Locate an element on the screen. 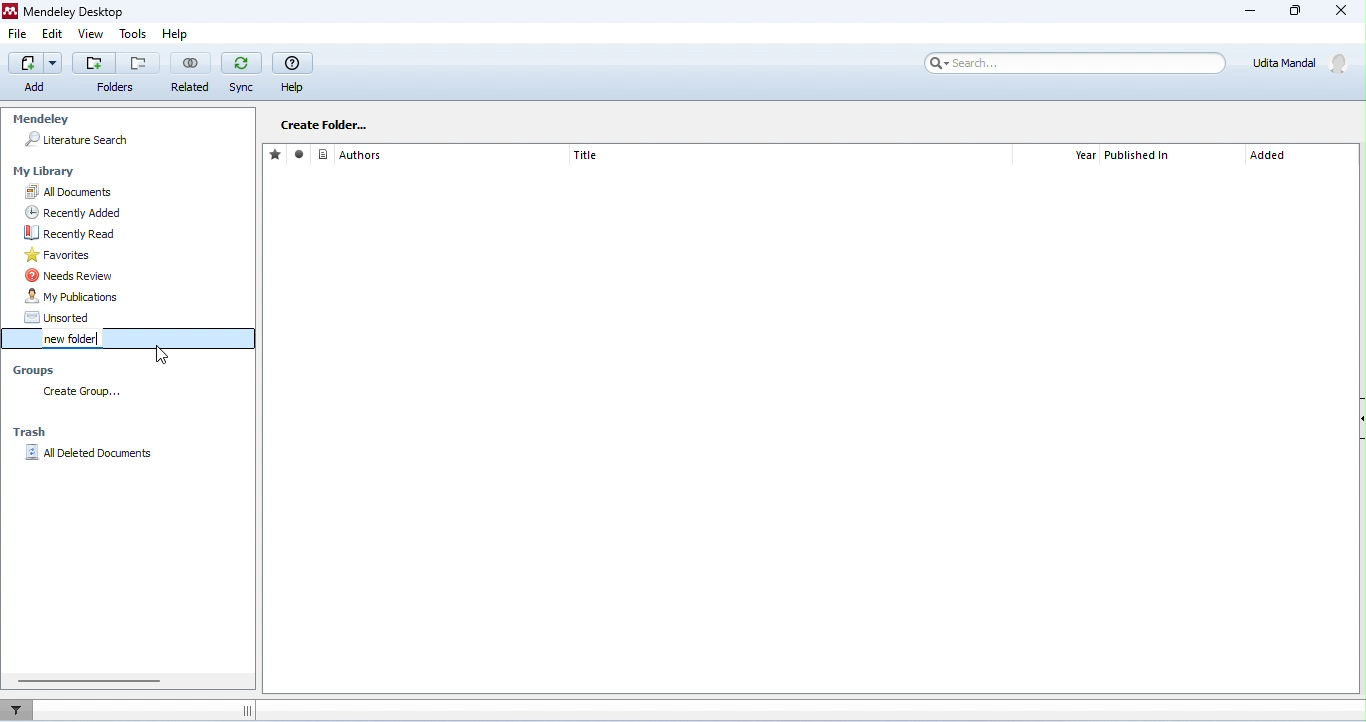  folders is located at coordinates (115, 88).